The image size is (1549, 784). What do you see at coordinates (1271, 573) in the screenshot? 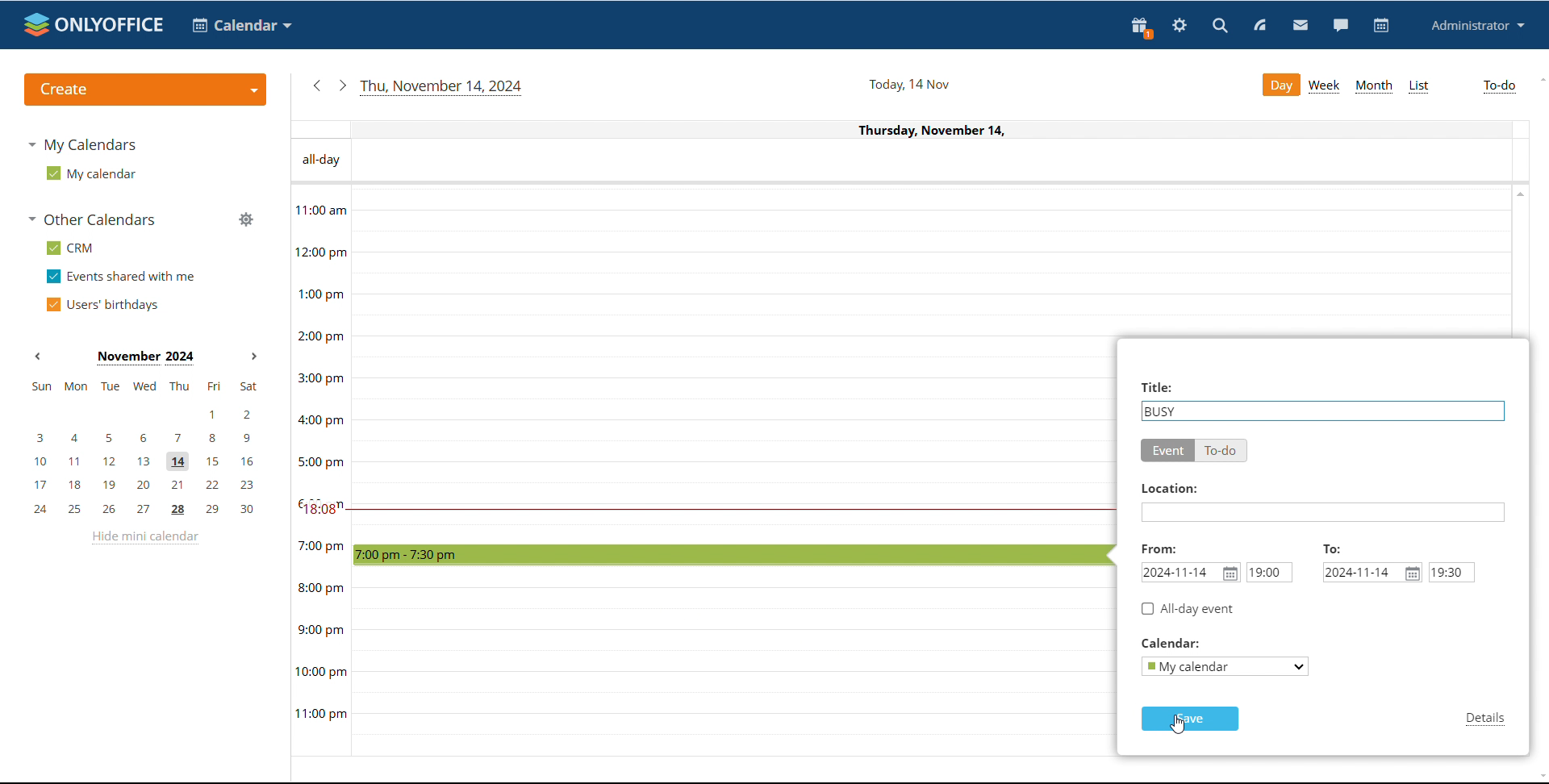
I see `start time` at bounding box center [1271, 573].